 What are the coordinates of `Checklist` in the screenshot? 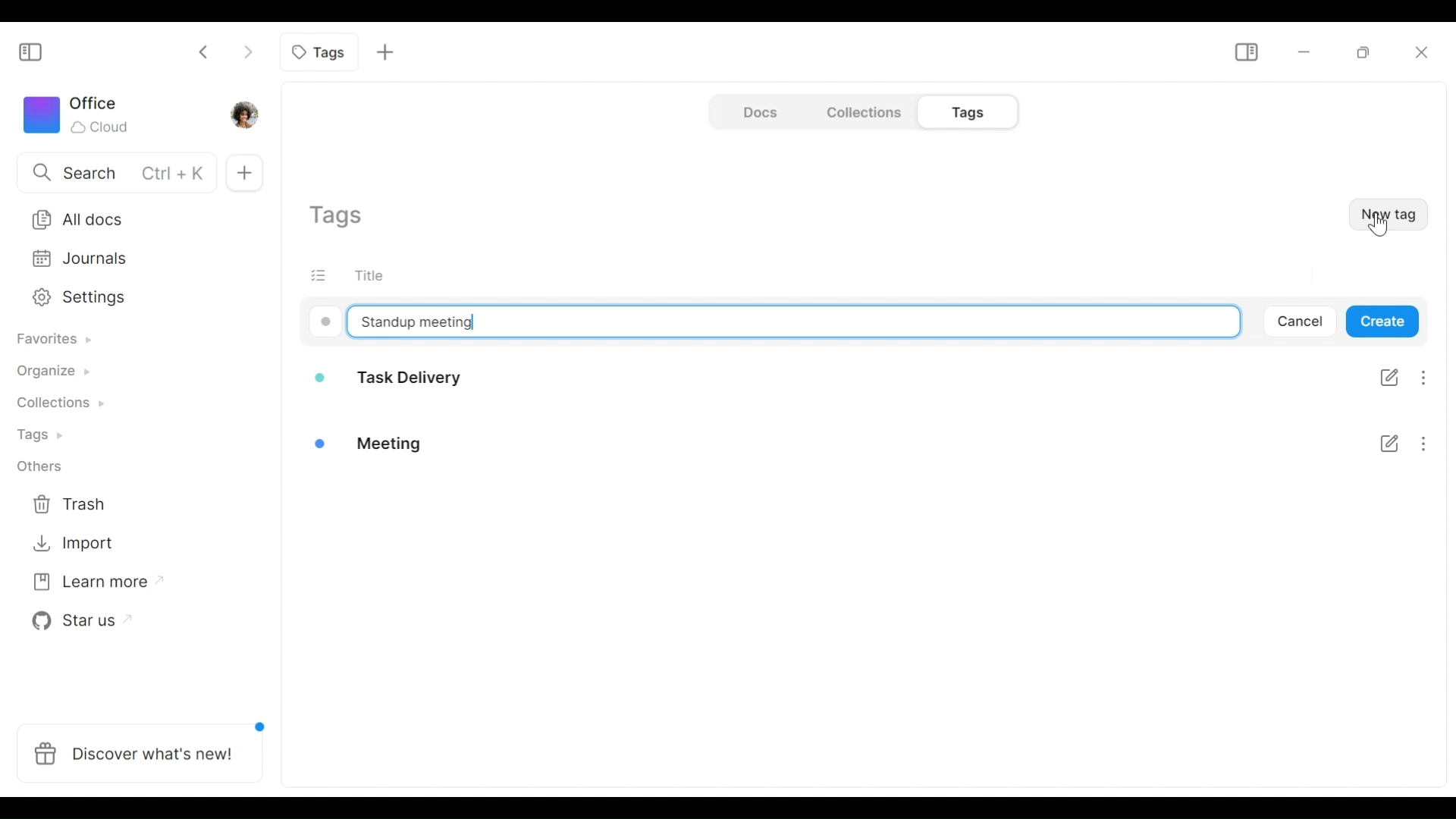 It's located at (1385, 406).